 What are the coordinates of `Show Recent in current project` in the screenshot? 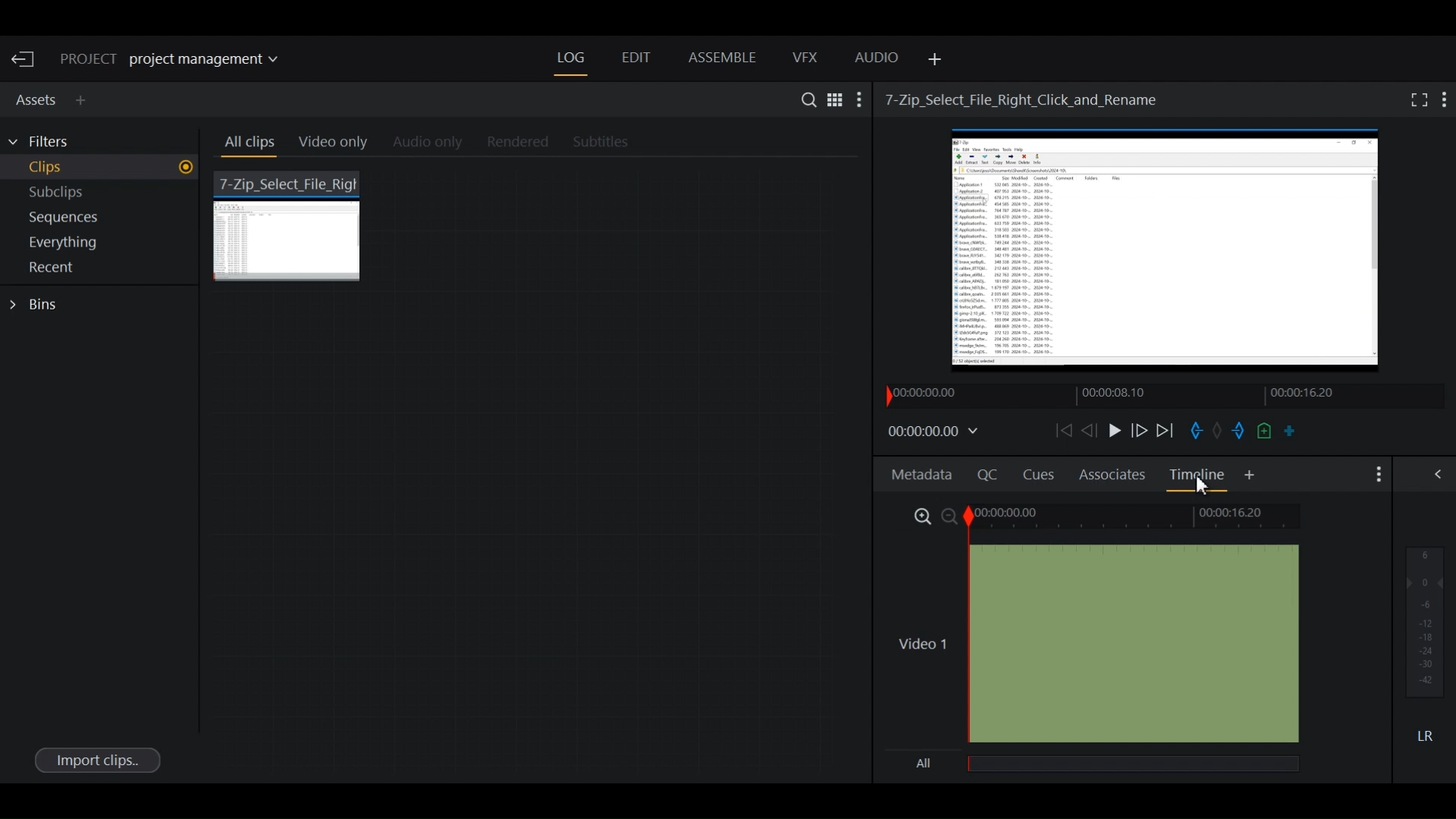 It's located at (102, 268).